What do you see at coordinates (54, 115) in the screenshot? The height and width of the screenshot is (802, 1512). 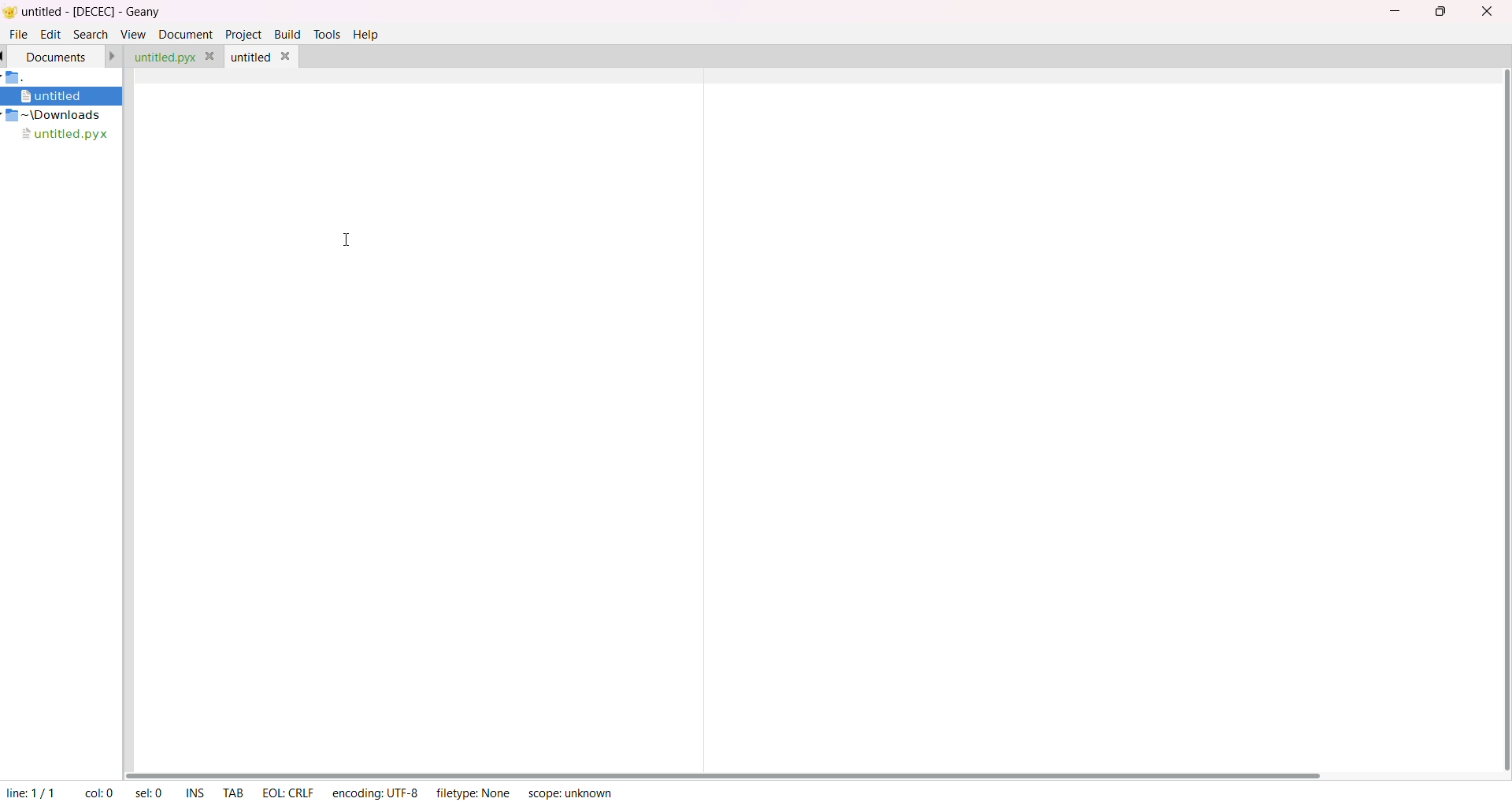 I see `downloads` at bounding box center [54, 115].